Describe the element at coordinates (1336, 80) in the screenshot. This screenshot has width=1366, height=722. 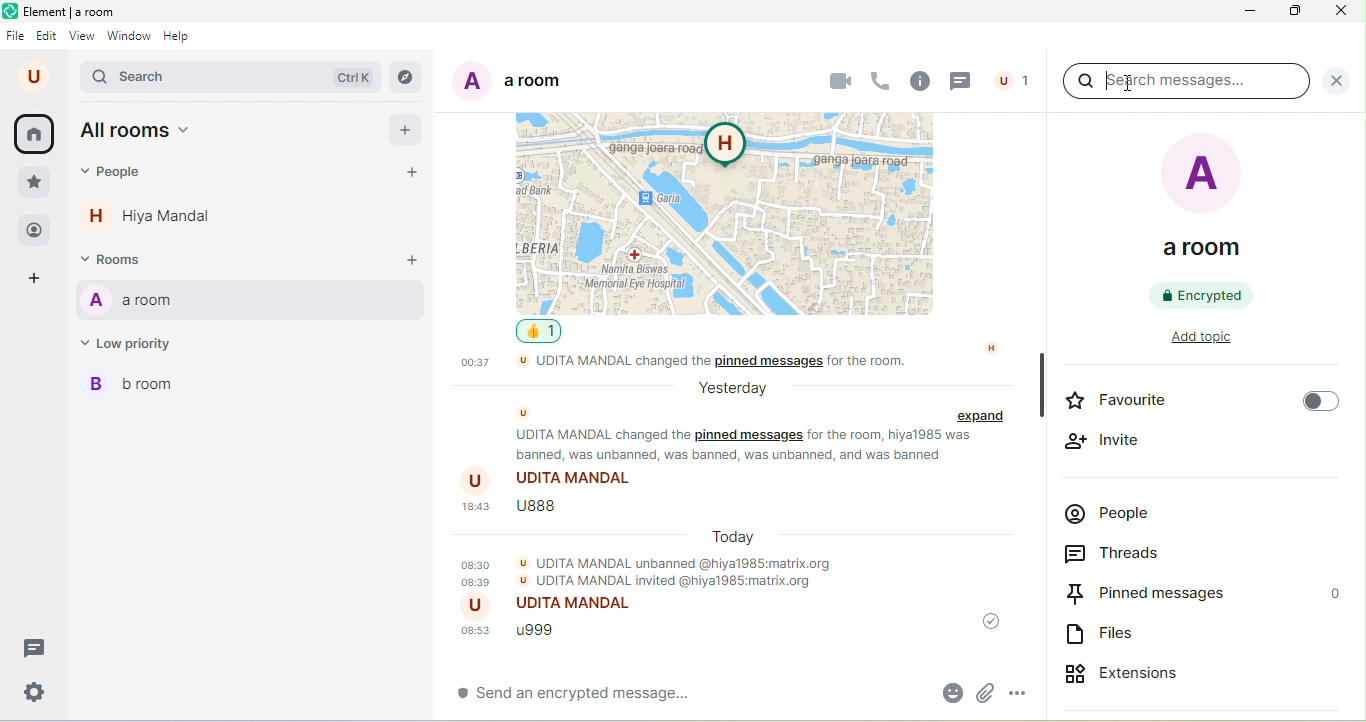
I see `close` at that location.